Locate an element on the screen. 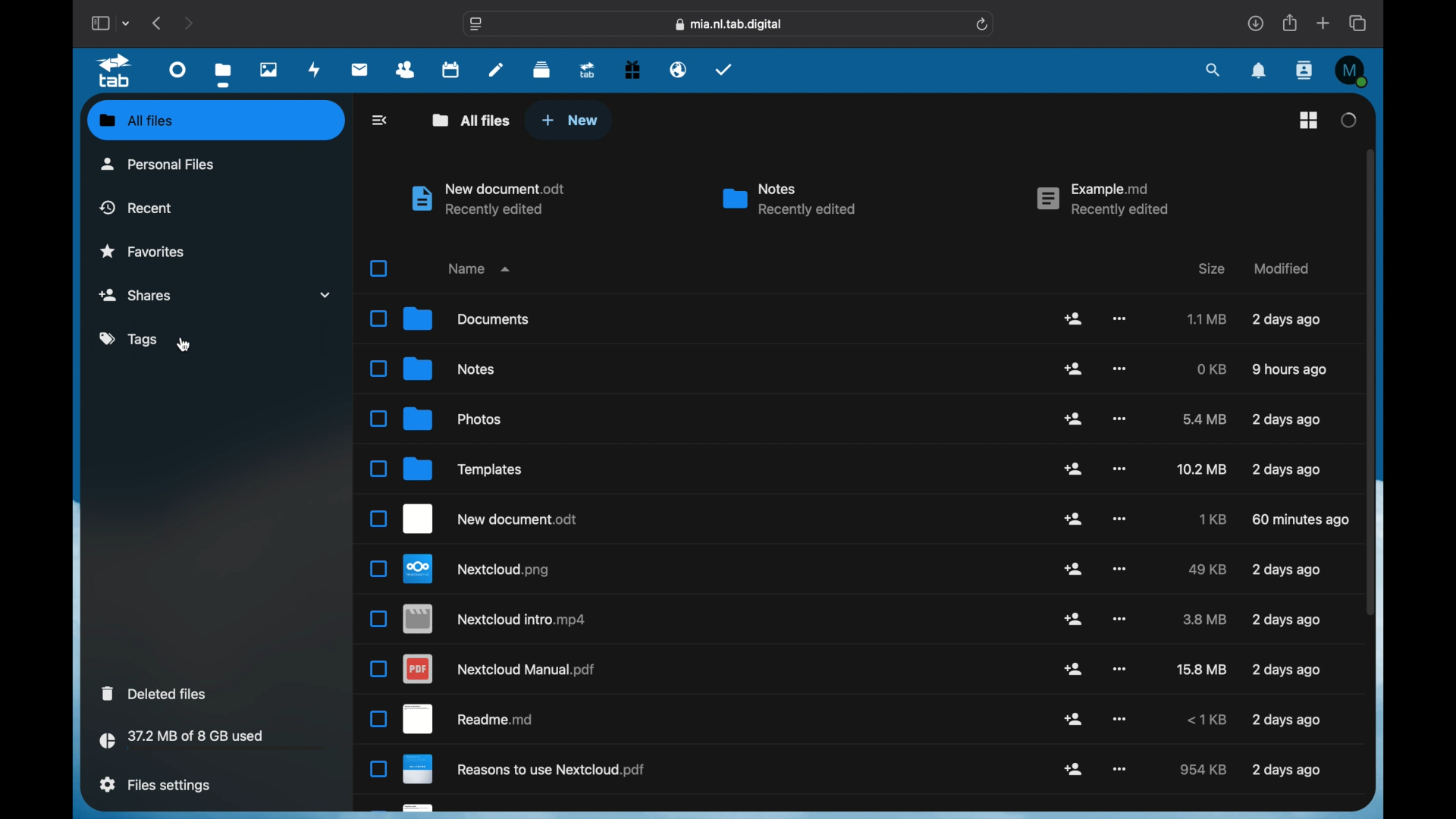 The width and height of the screenshot is (1456, 819). photos is located at coordinates (453, 419).